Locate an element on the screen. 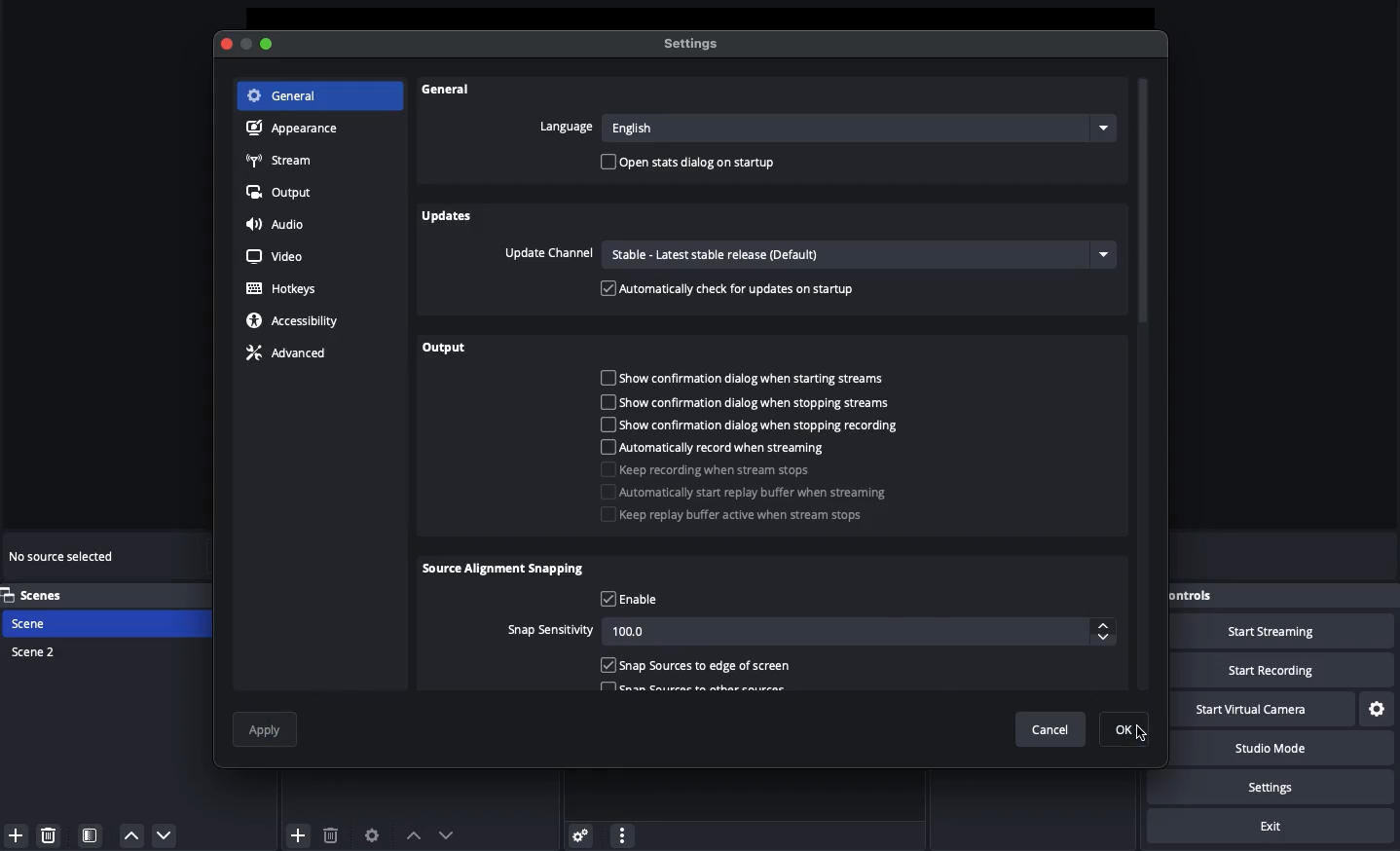 Image resolution: width=1400 pixels, height=851 pixels. Updates is located at coordinates (448, 216).